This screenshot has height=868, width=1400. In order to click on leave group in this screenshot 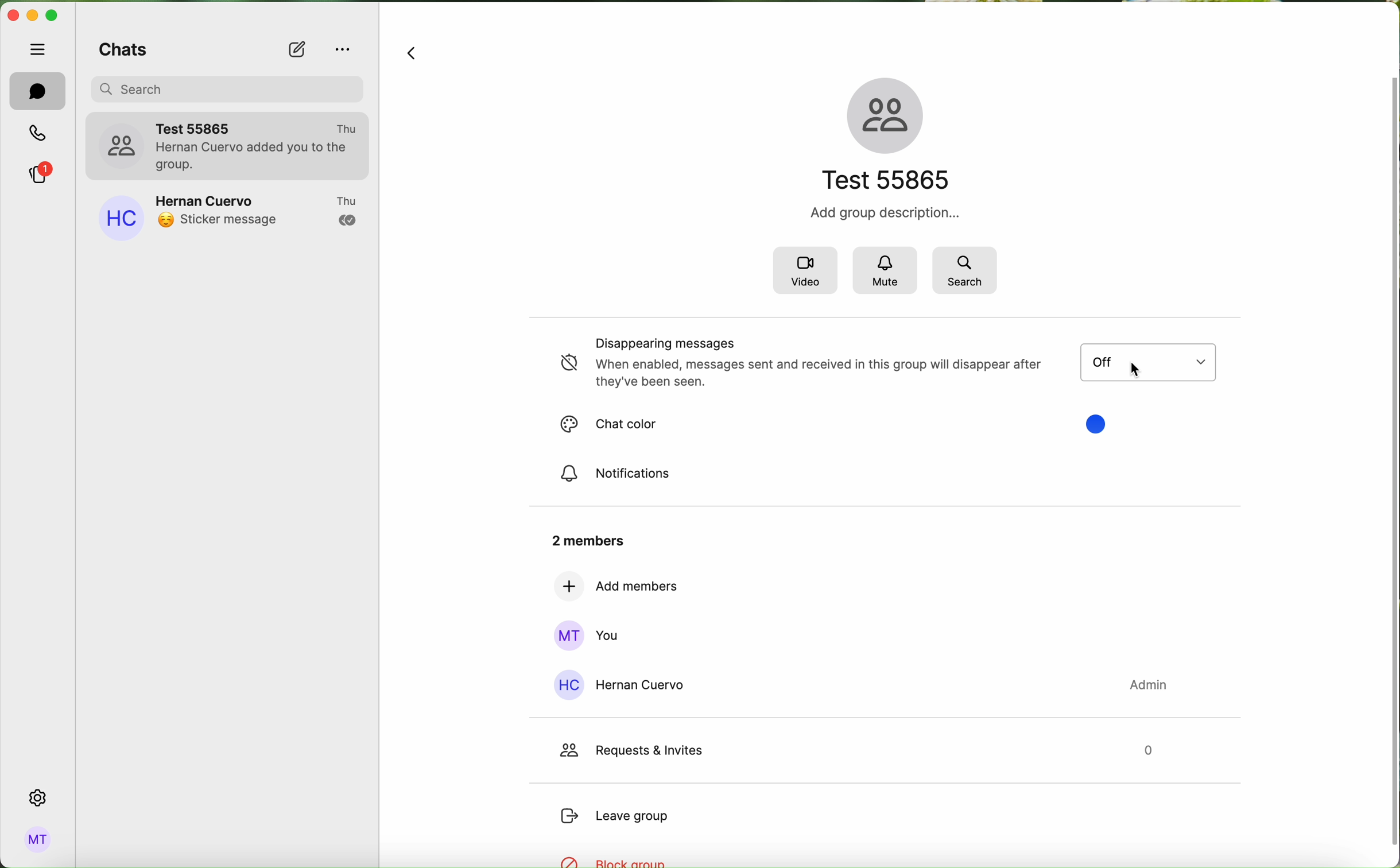, I will do `click(614, 815)`.